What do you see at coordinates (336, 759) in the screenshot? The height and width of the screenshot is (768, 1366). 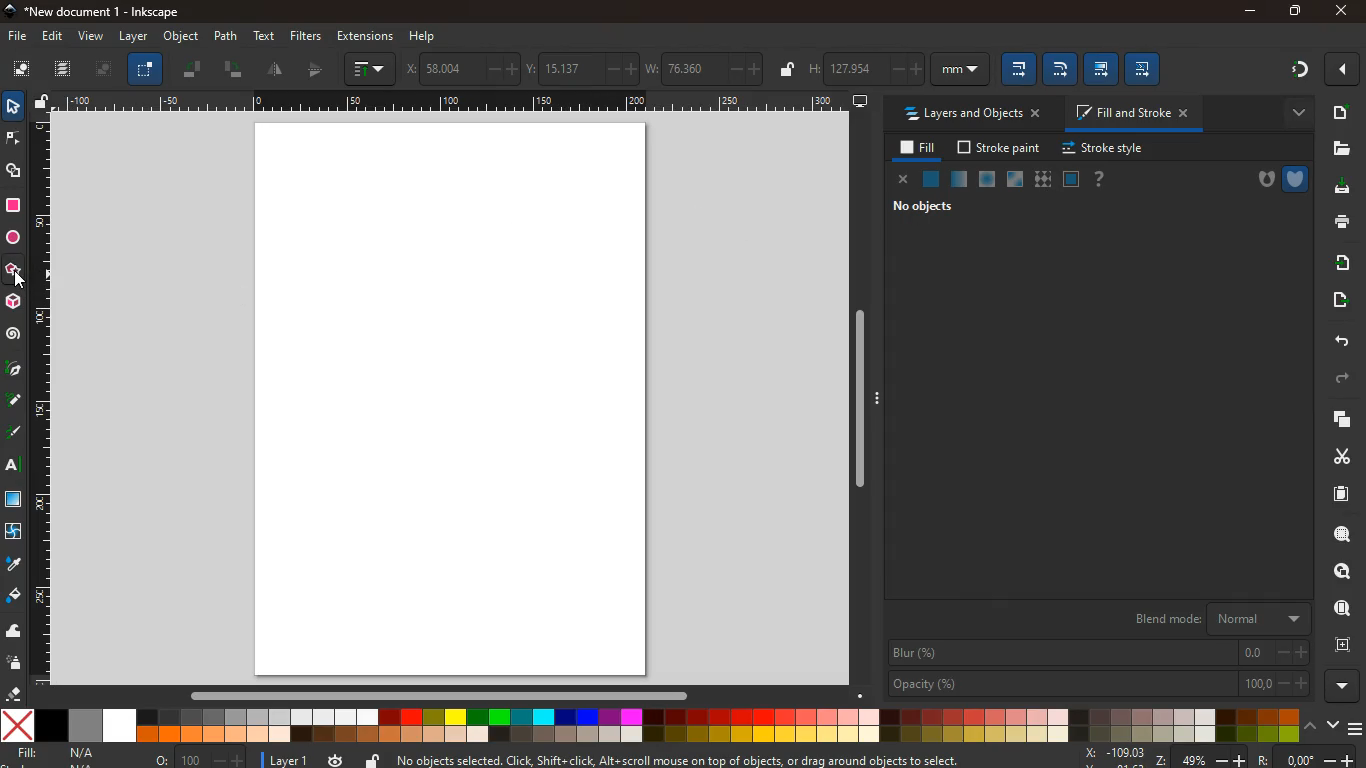 I see `time` at bounding box center [336, 759].